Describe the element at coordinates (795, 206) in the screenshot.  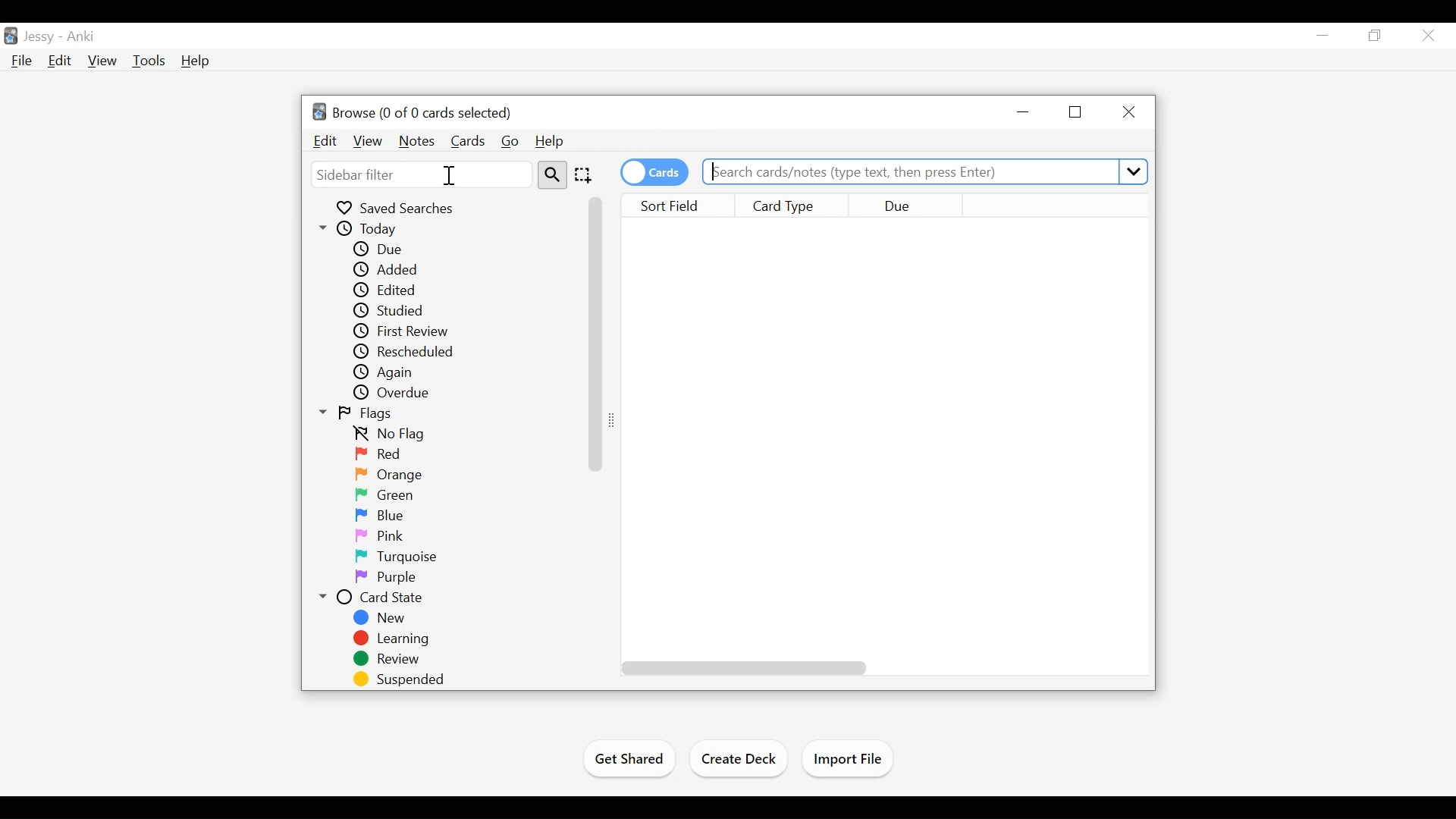
I see `Card Type` at that location.